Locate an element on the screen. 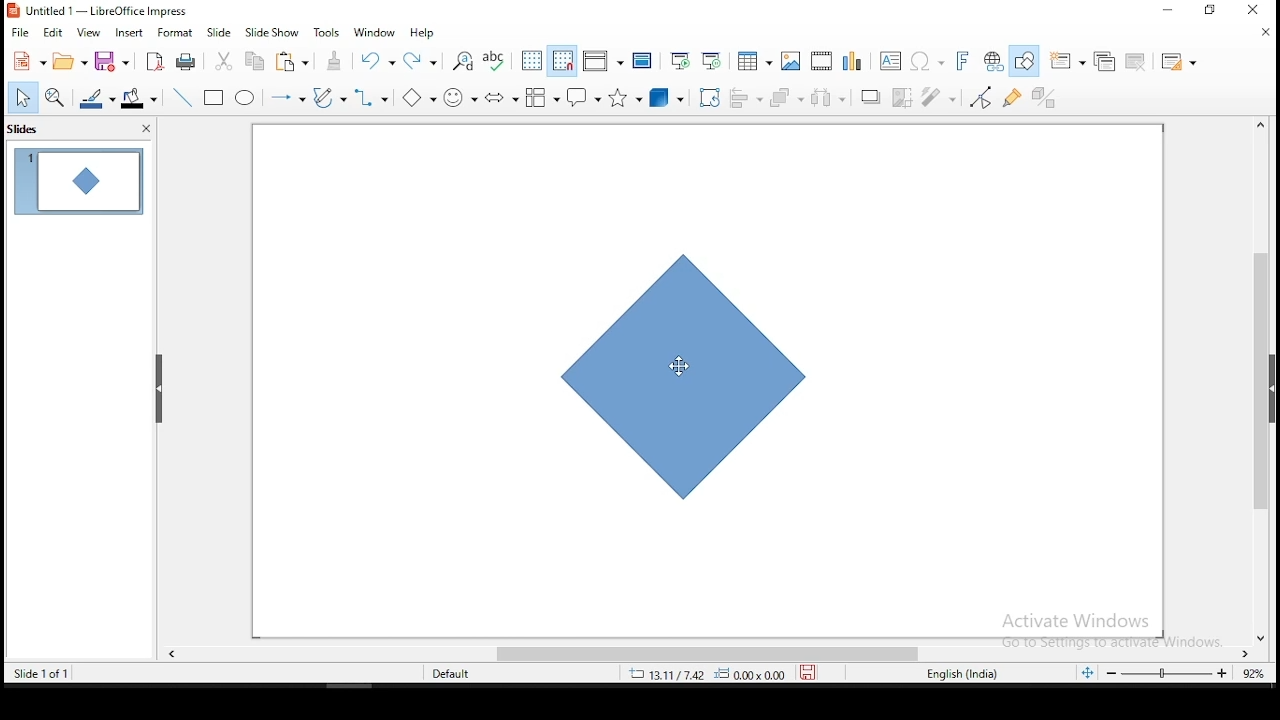 The image size is (1280, 720). display grid is located at coordinates (532, 61).